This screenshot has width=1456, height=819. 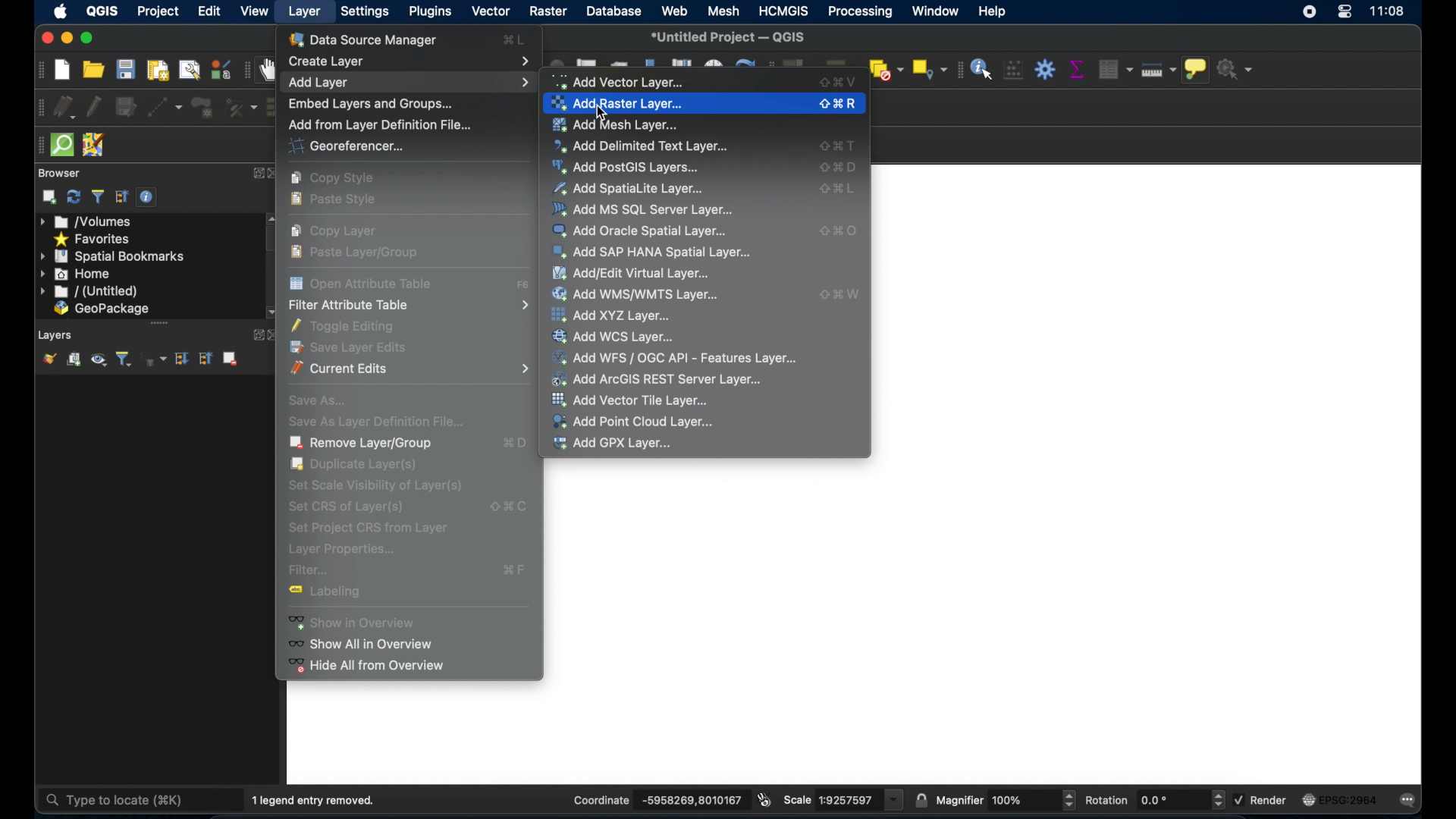 I want to click on paste layer/group, so click(x=358, y=252).